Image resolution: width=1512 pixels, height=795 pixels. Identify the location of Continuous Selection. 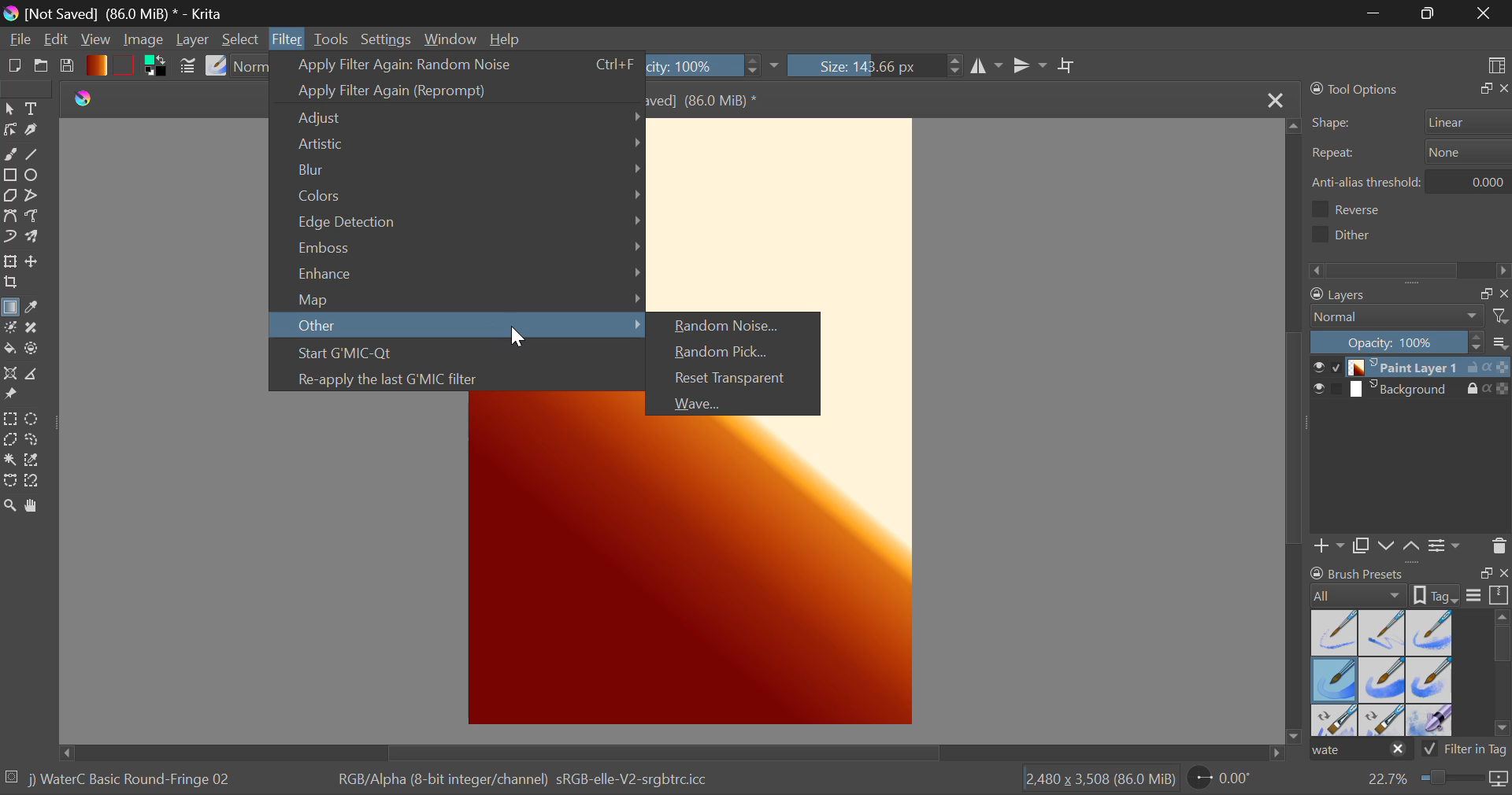
(9, 462).